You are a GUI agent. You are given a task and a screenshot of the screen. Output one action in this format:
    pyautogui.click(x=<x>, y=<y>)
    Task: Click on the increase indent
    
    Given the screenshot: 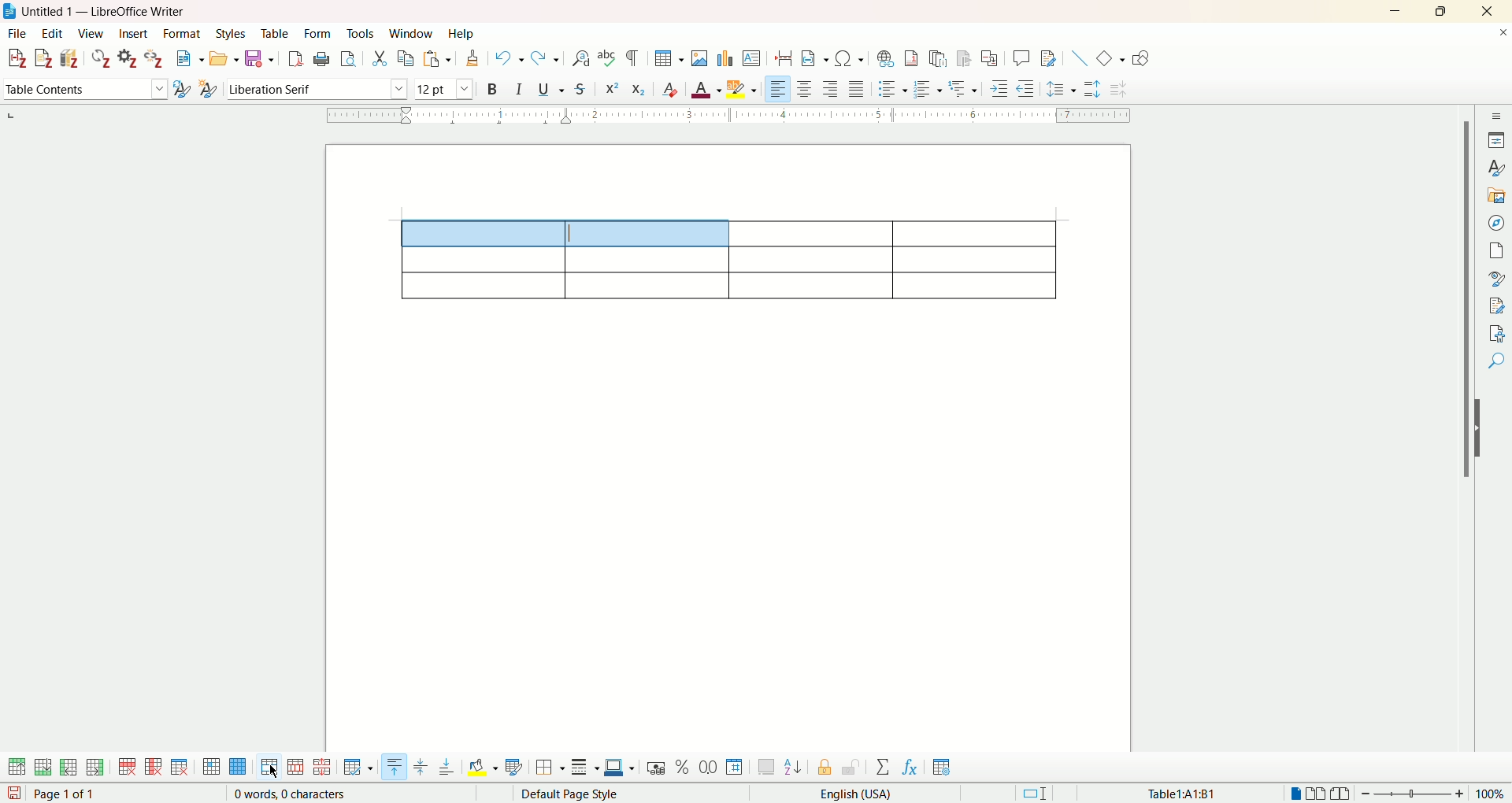 What is the action you would take?
    pyautogui.click(x=999, y=89)
    